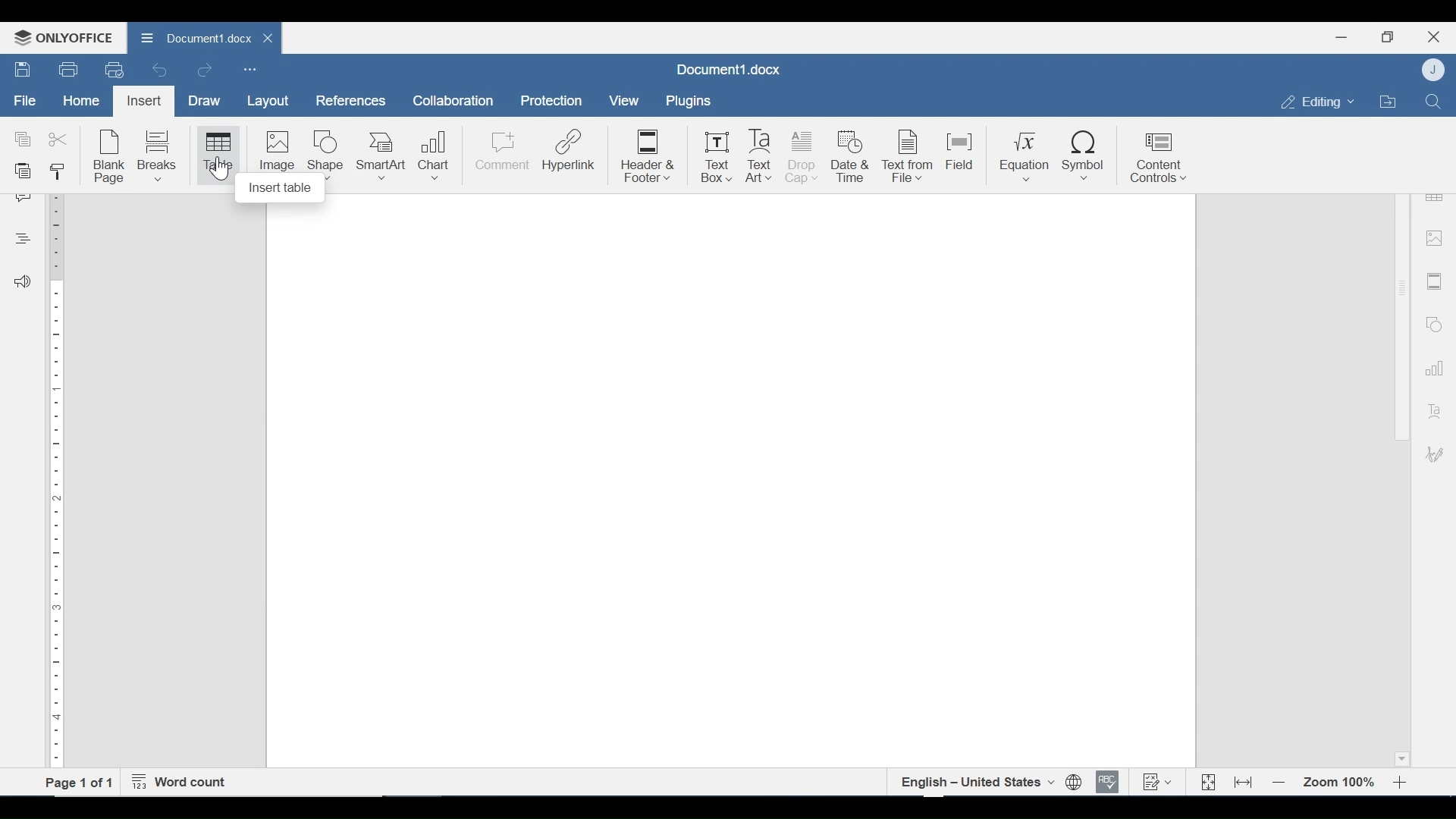 This screenshot has width=1456, height=819. What do you see at coordinates (183, 783) in the screenshot?
I see `Word Count` at bounding box center [183, 783].